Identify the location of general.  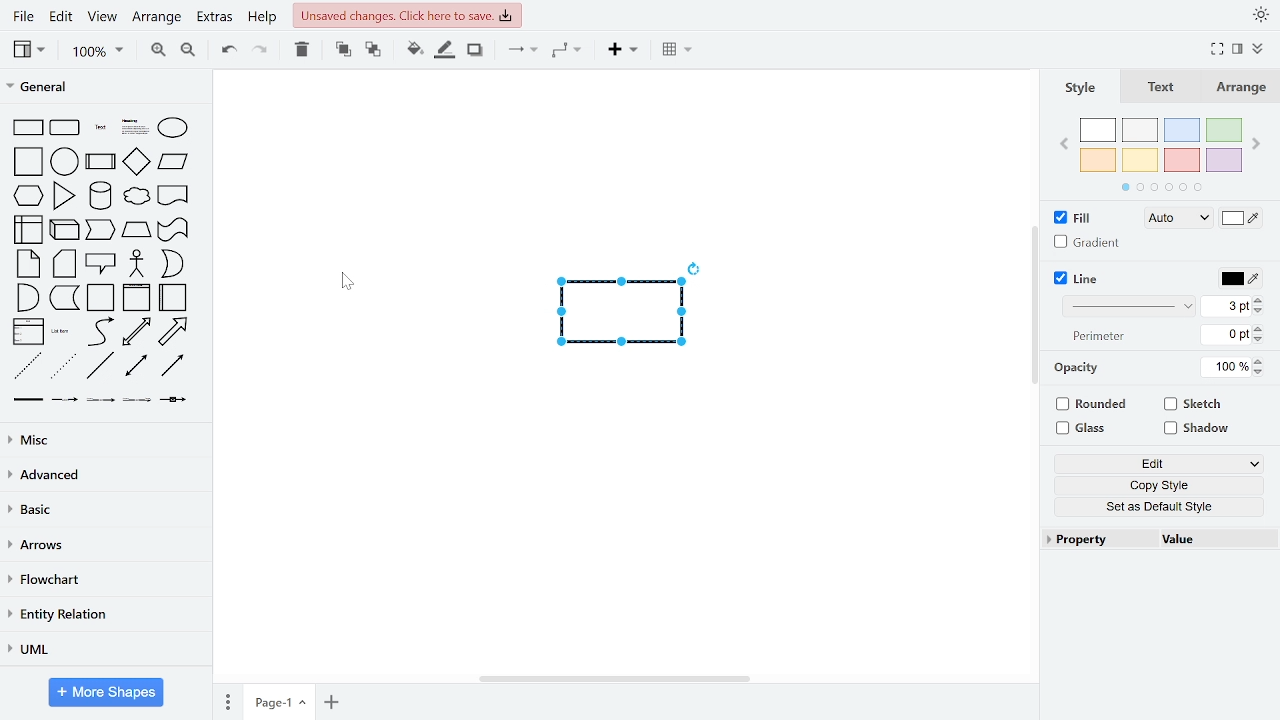
(103, 89).